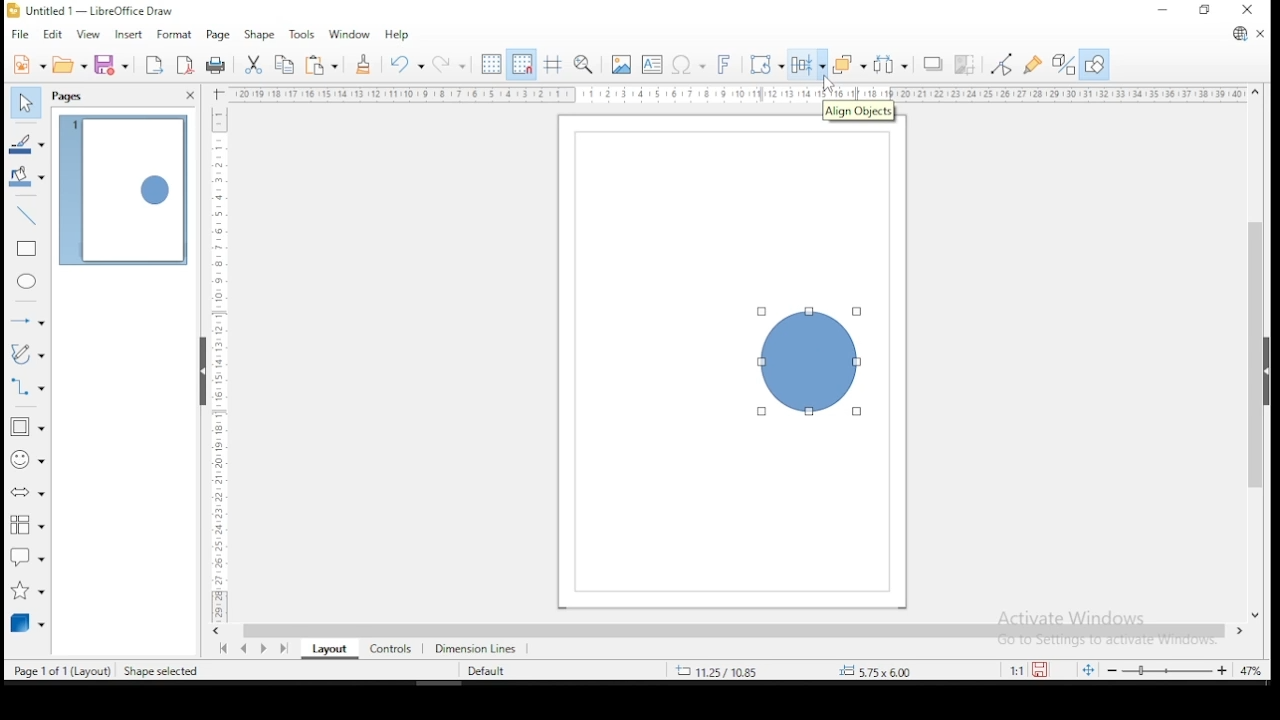  Describe the element at coordinates (1165, 9) in the screenshot. I see `minimize` at that location.